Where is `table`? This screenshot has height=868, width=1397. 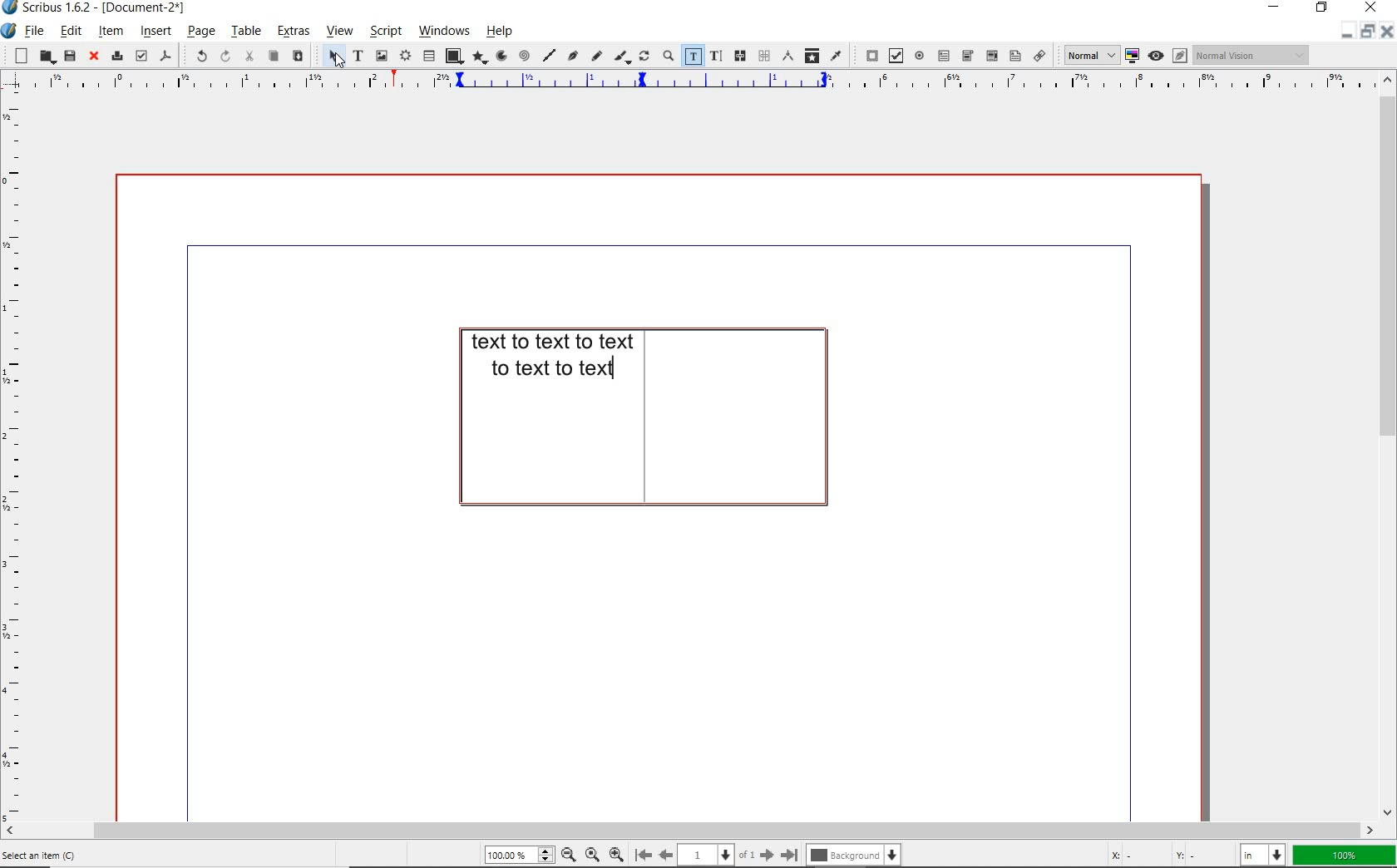
table is located at coordinates (244, 32).